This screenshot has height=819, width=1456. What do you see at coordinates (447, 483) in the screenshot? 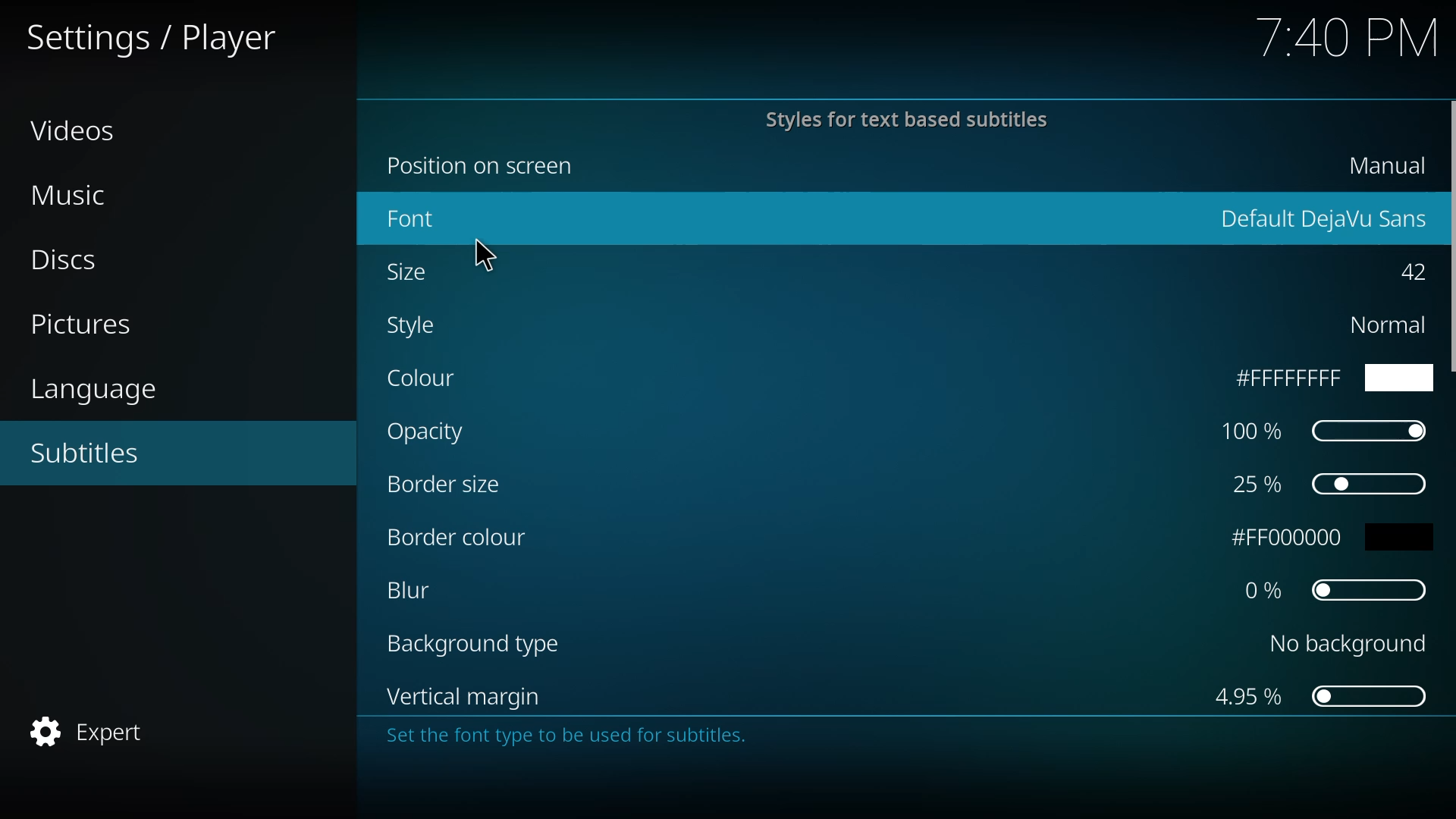
I see `border size` at bounding box center [447, 483].